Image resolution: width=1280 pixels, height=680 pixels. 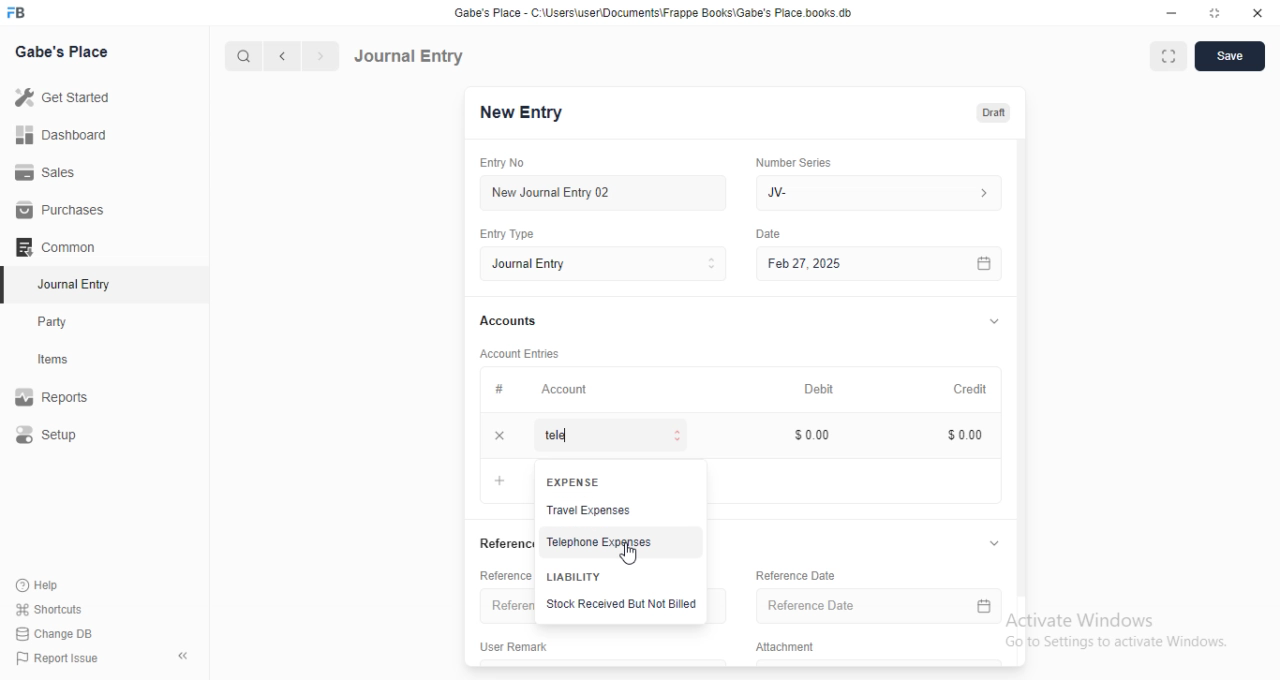 What do you see at coordinates (807, 435) in the screenshot?
I see `0.00` at bounding box center [807, 435].